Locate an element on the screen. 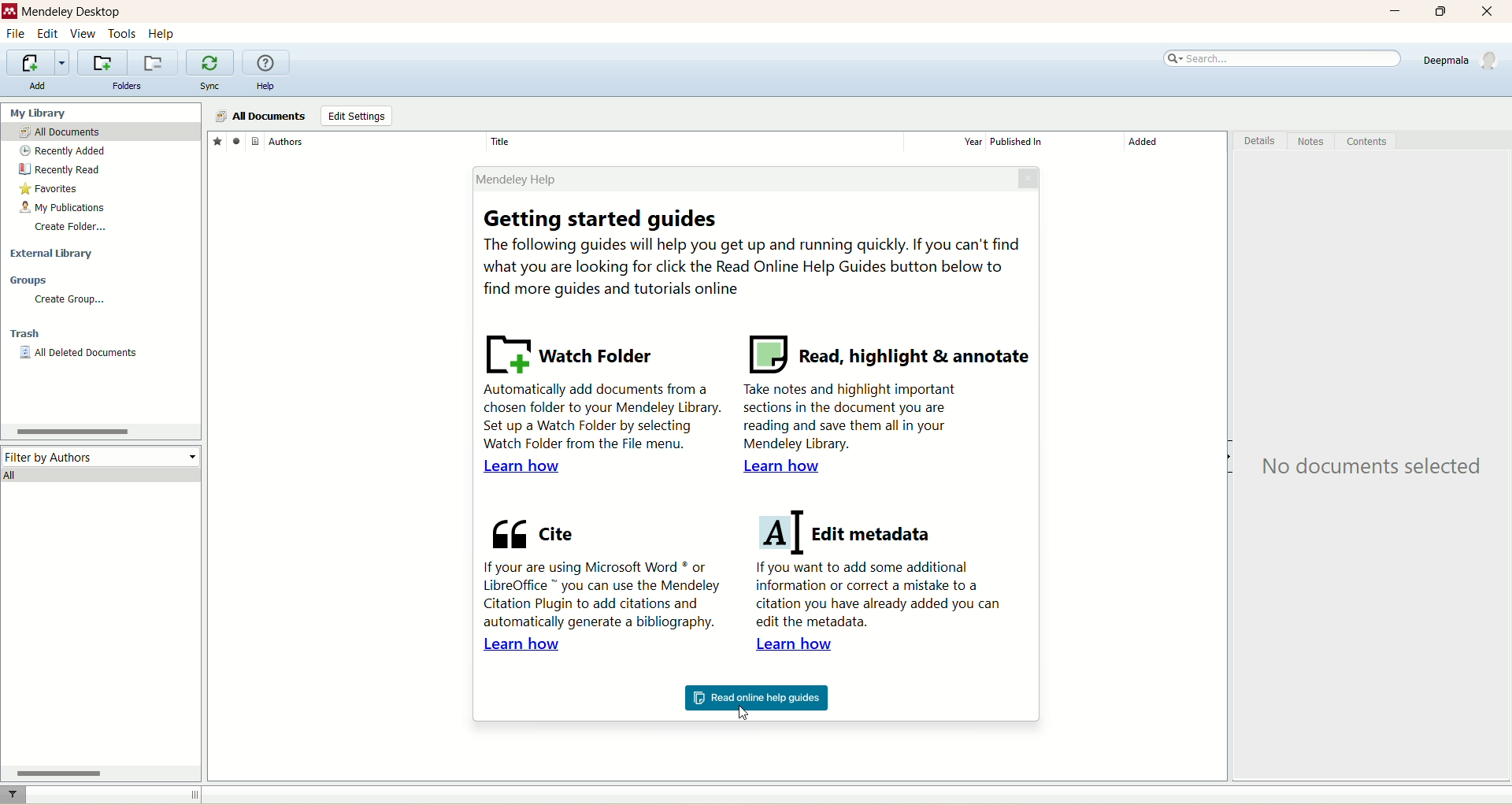 The image size is (1512, 805). notes is located at coordinates (1315, 141).